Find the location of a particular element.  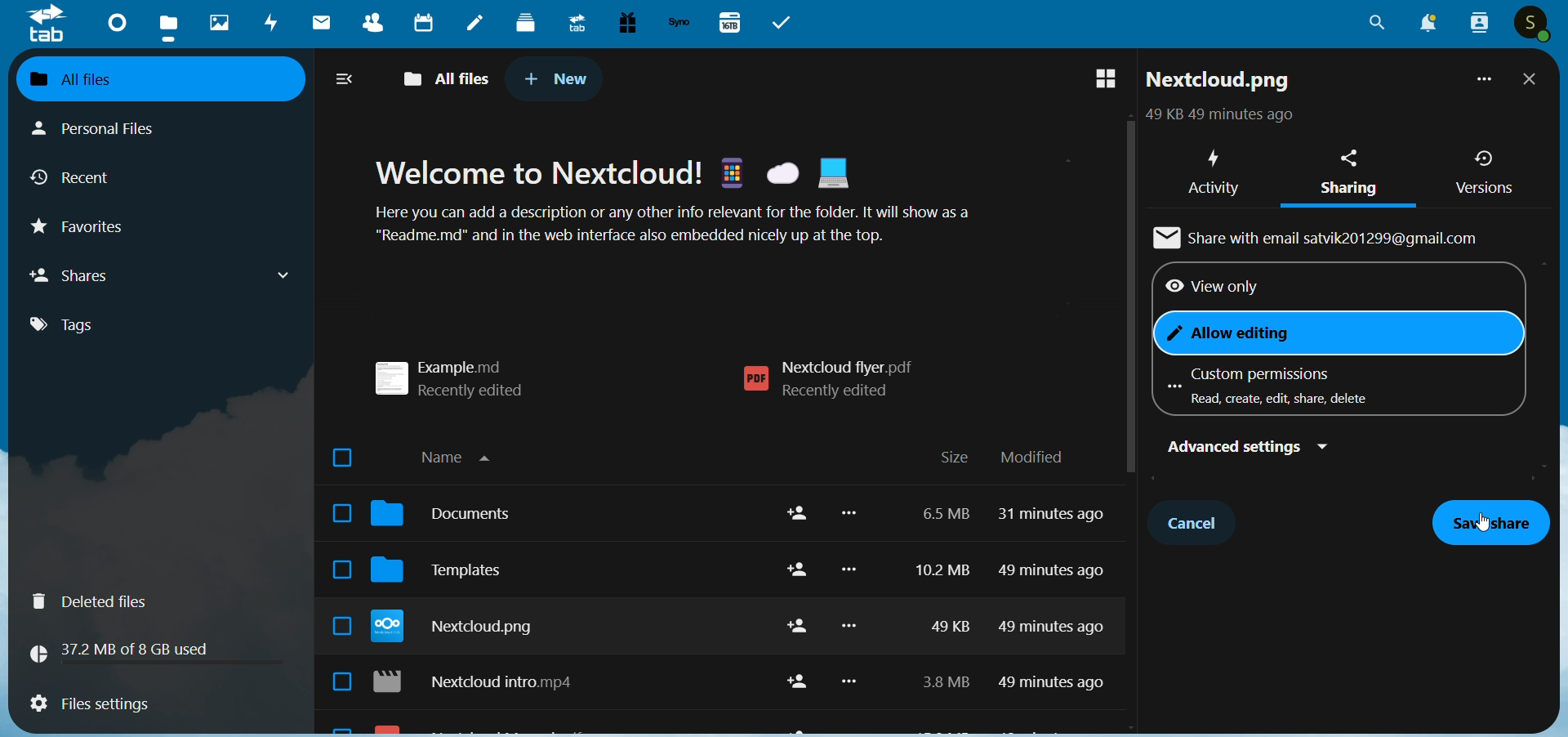

nextcloud flyer is located at coordinates (837, 380).